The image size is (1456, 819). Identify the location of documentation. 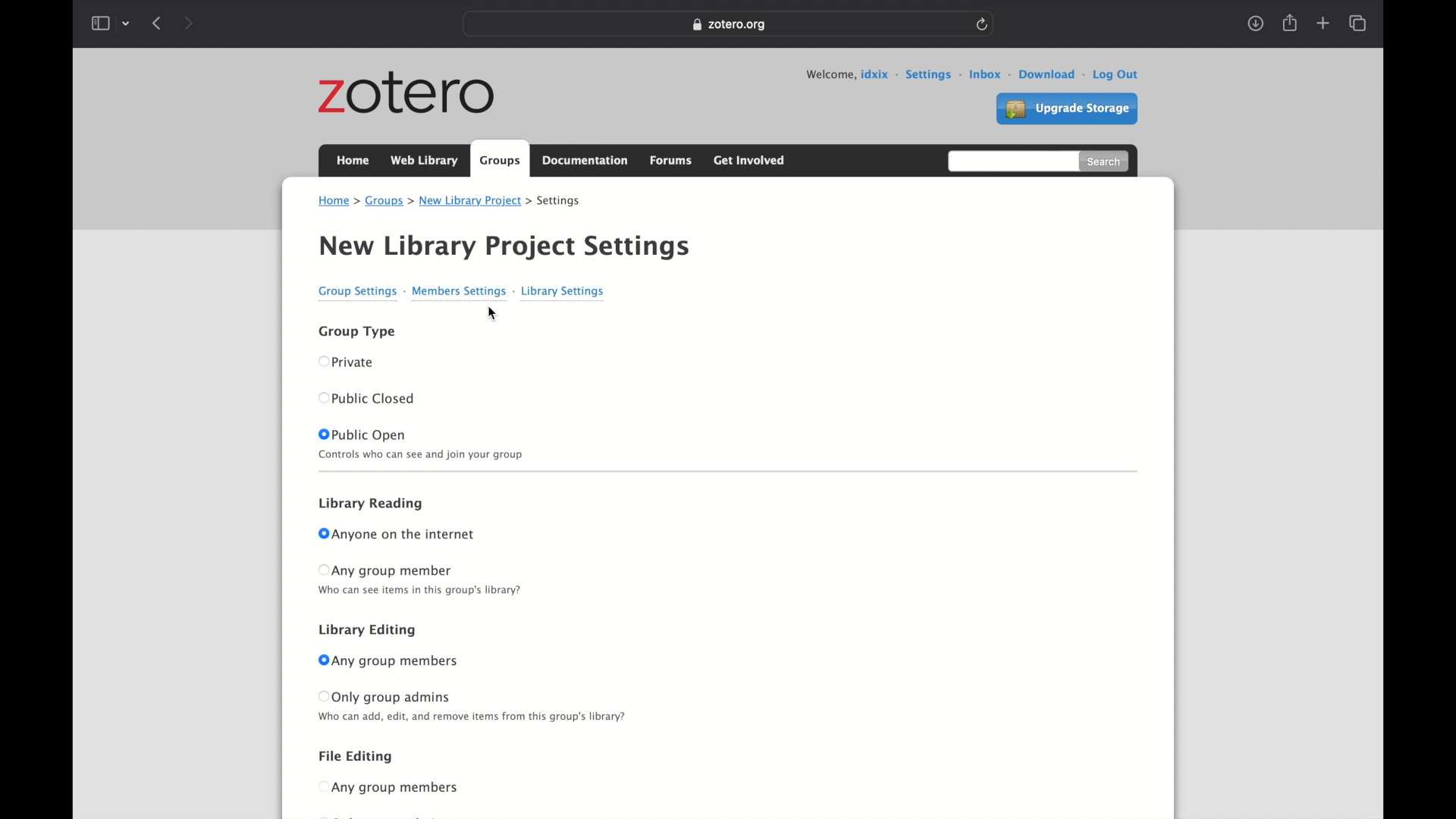
(586, 161).